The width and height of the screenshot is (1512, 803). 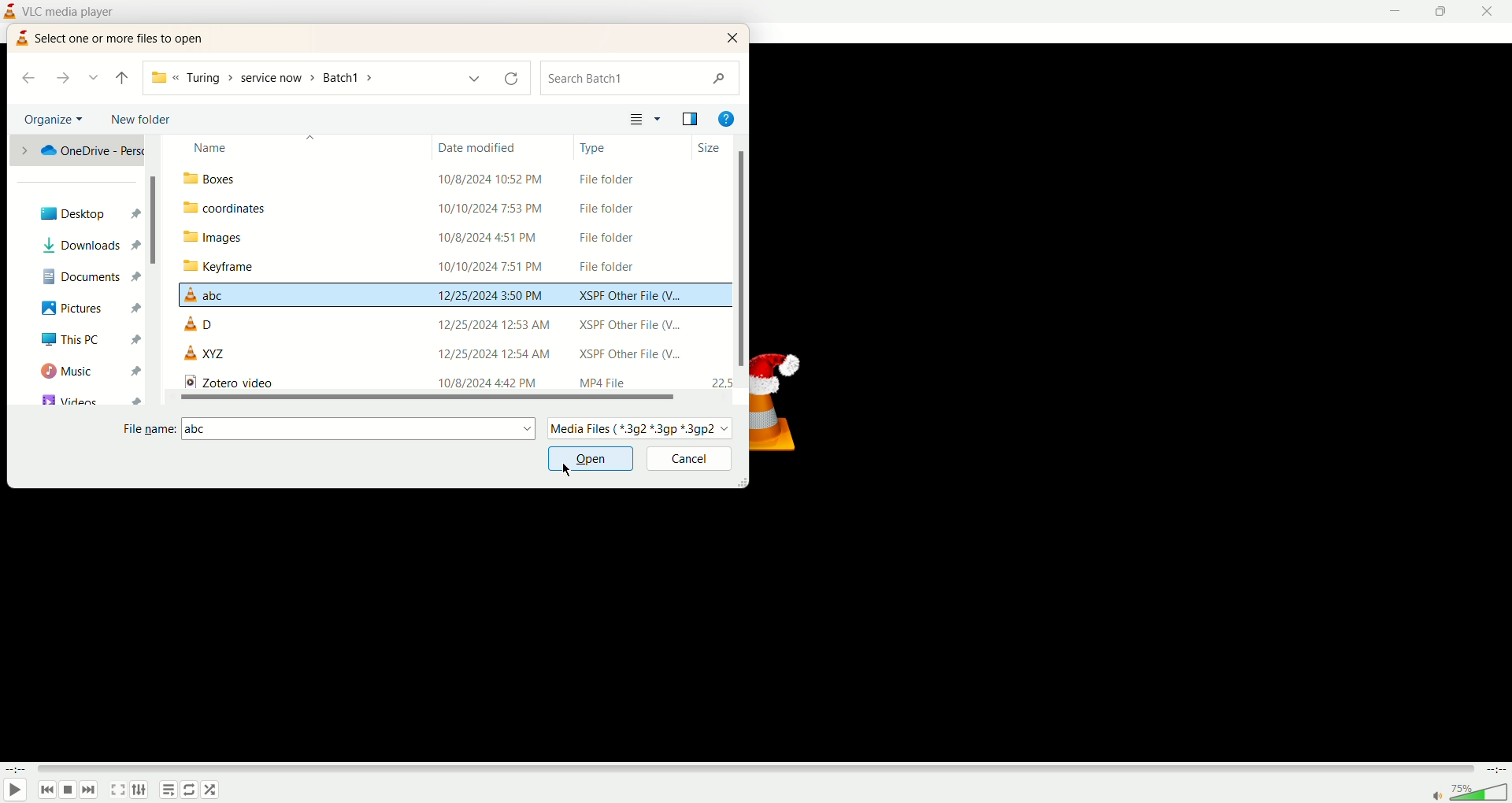 What do you see at coordinates (735, 37) in the screenshot?
I see `close` at bounding box center [735, 37].